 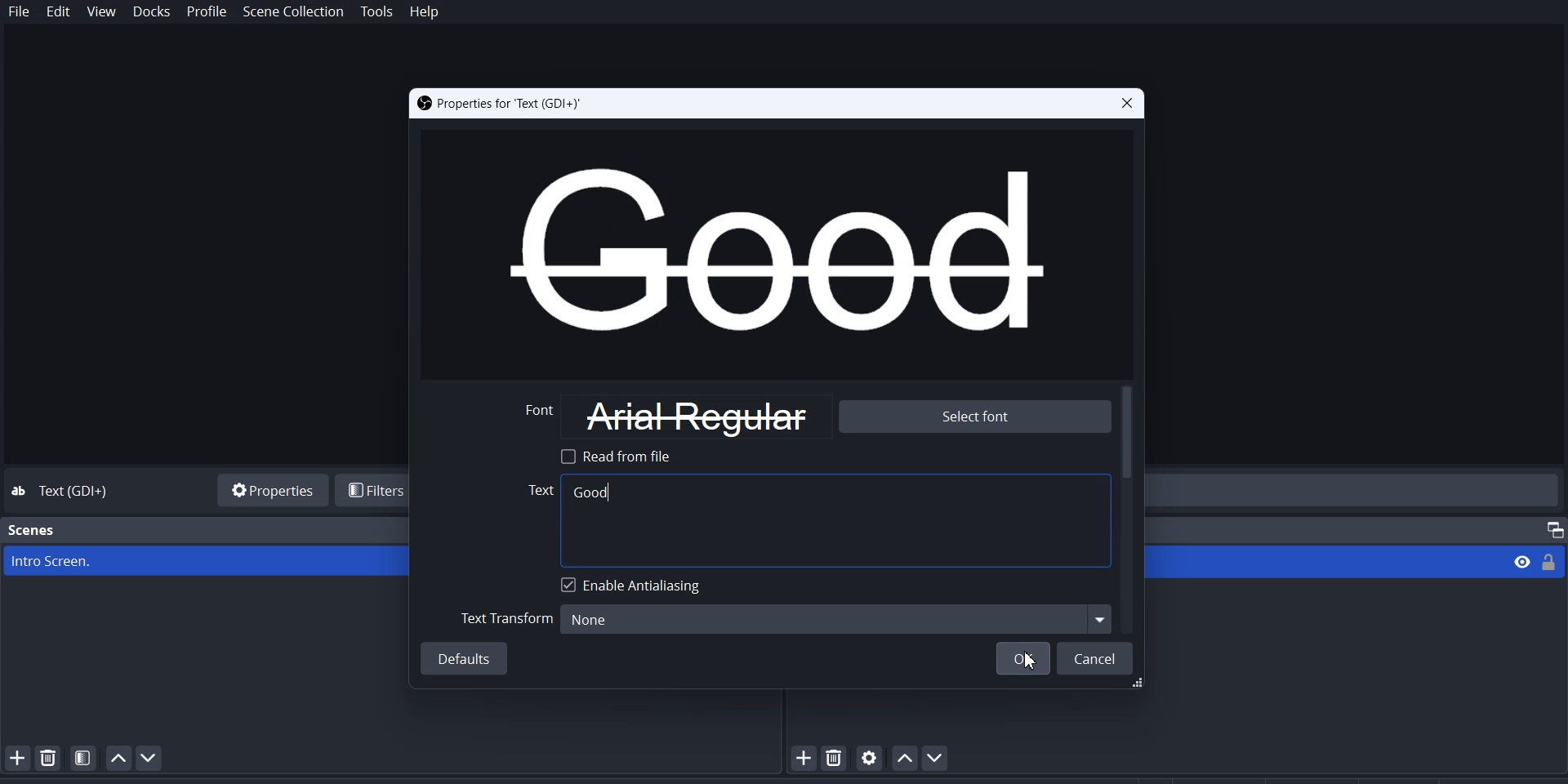 I want to click on Cursor, so click(x=1028, y=661).